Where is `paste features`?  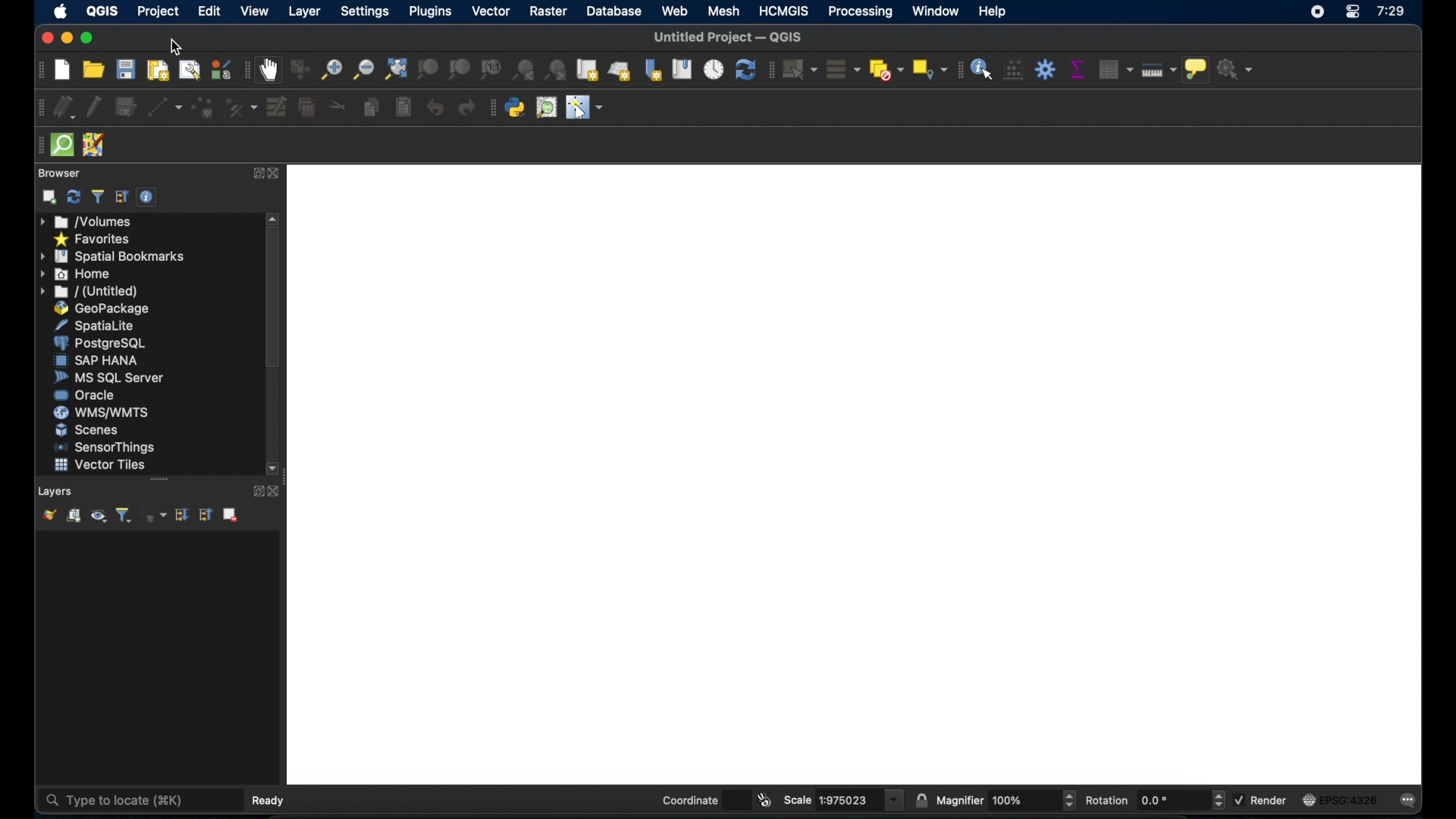 paste features is located at coordinates (403, 108).